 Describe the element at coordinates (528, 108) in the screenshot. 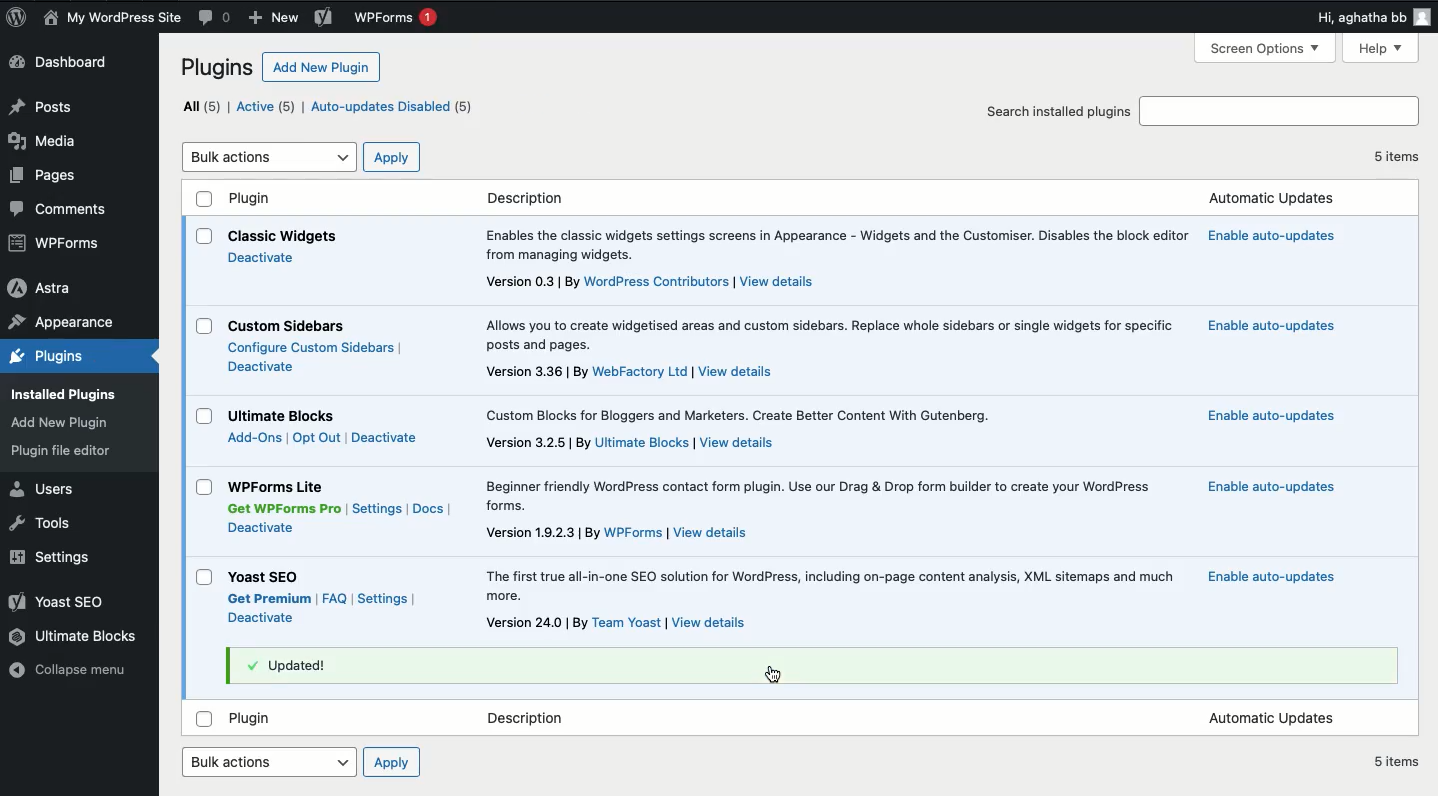

I see `Auto updates disabled` at that location.